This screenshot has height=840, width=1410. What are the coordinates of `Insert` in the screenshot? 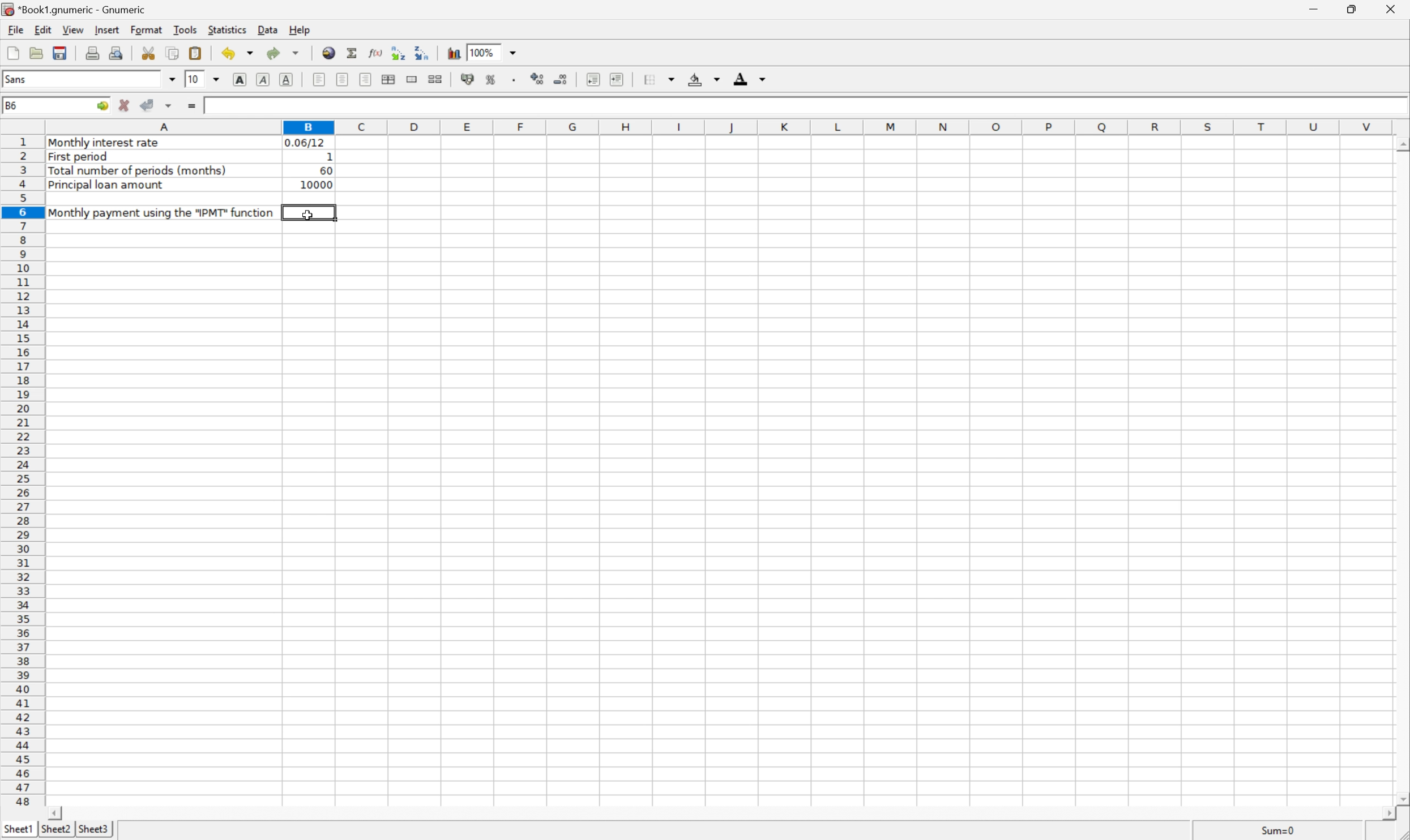 It's located at (109, 30).